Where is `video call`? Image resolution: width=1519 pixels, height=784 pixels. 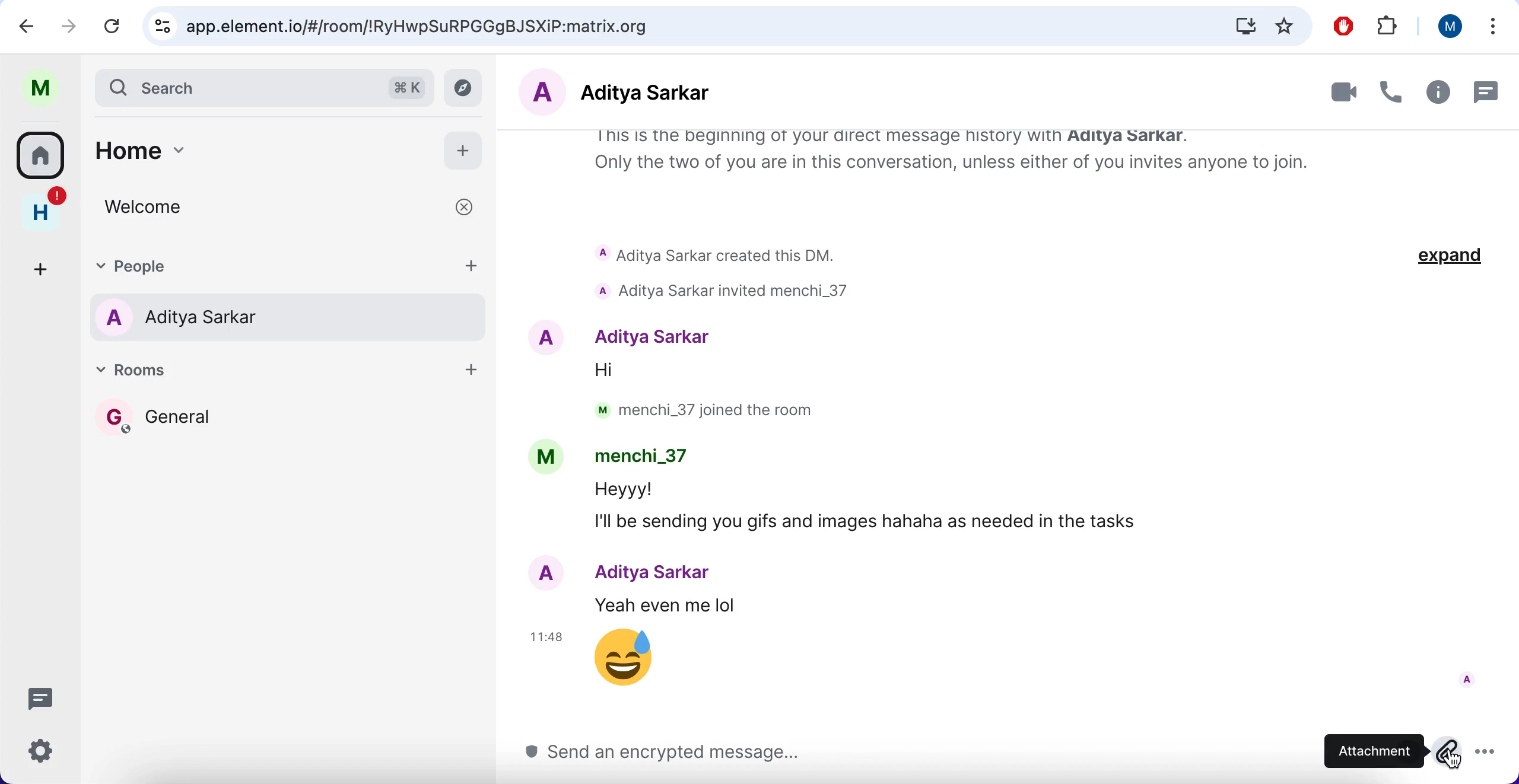 video call is located at coordinates (1343, 94).